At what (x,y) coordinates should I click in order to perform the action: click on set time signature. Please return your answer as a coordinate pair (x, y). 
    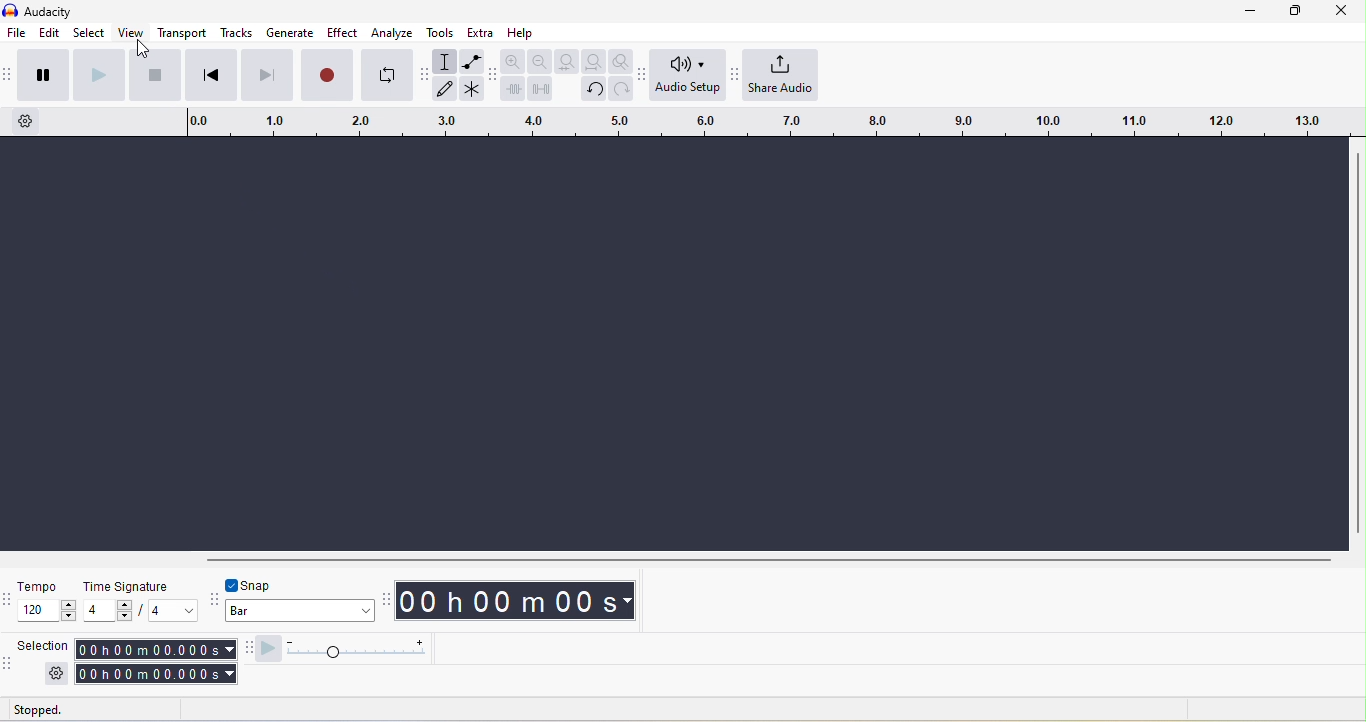
    Looking at the image, I should click on (108, 610).